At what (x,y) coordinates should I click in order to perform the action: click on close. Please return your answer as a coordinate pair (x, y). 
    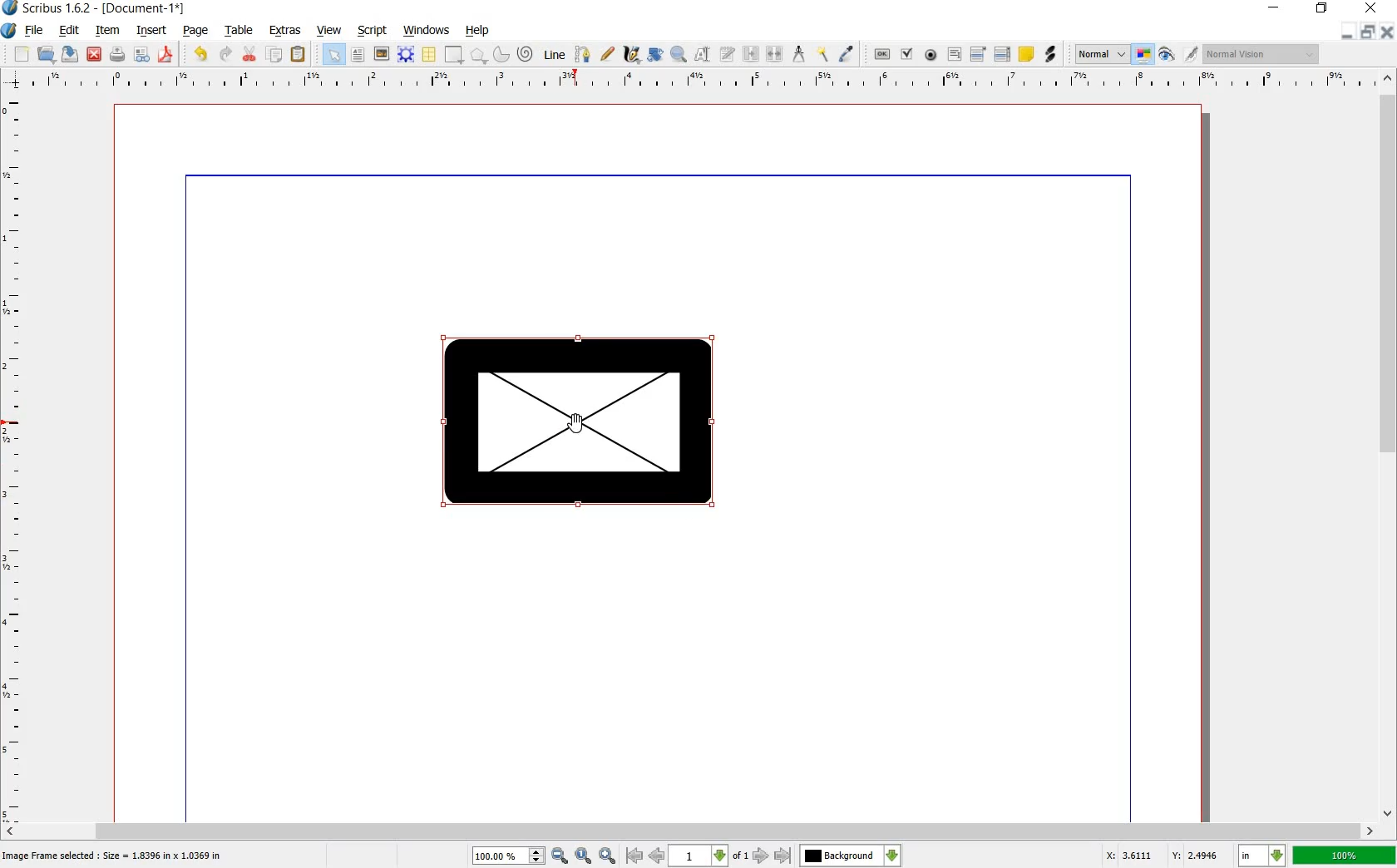
    Looking at the image, I should click on (1370, 8).